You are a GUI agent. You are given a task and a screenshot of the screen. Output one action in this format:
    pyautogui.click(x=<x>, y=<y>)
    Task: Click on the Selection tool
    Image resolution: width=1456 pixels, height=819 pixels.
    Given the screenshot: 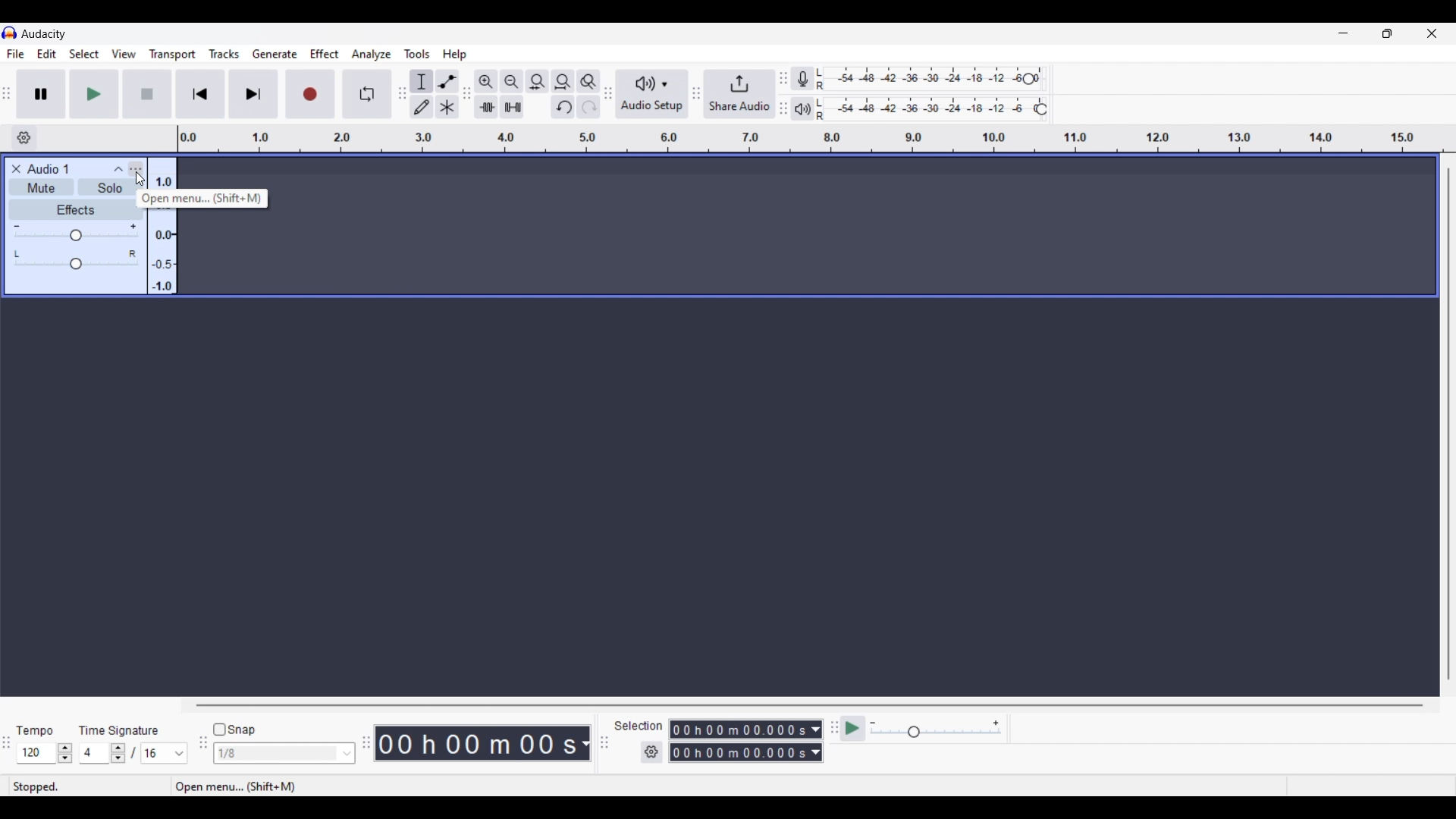 What is the action you would take?
    pyautogui.click(x=422, y=81)
    